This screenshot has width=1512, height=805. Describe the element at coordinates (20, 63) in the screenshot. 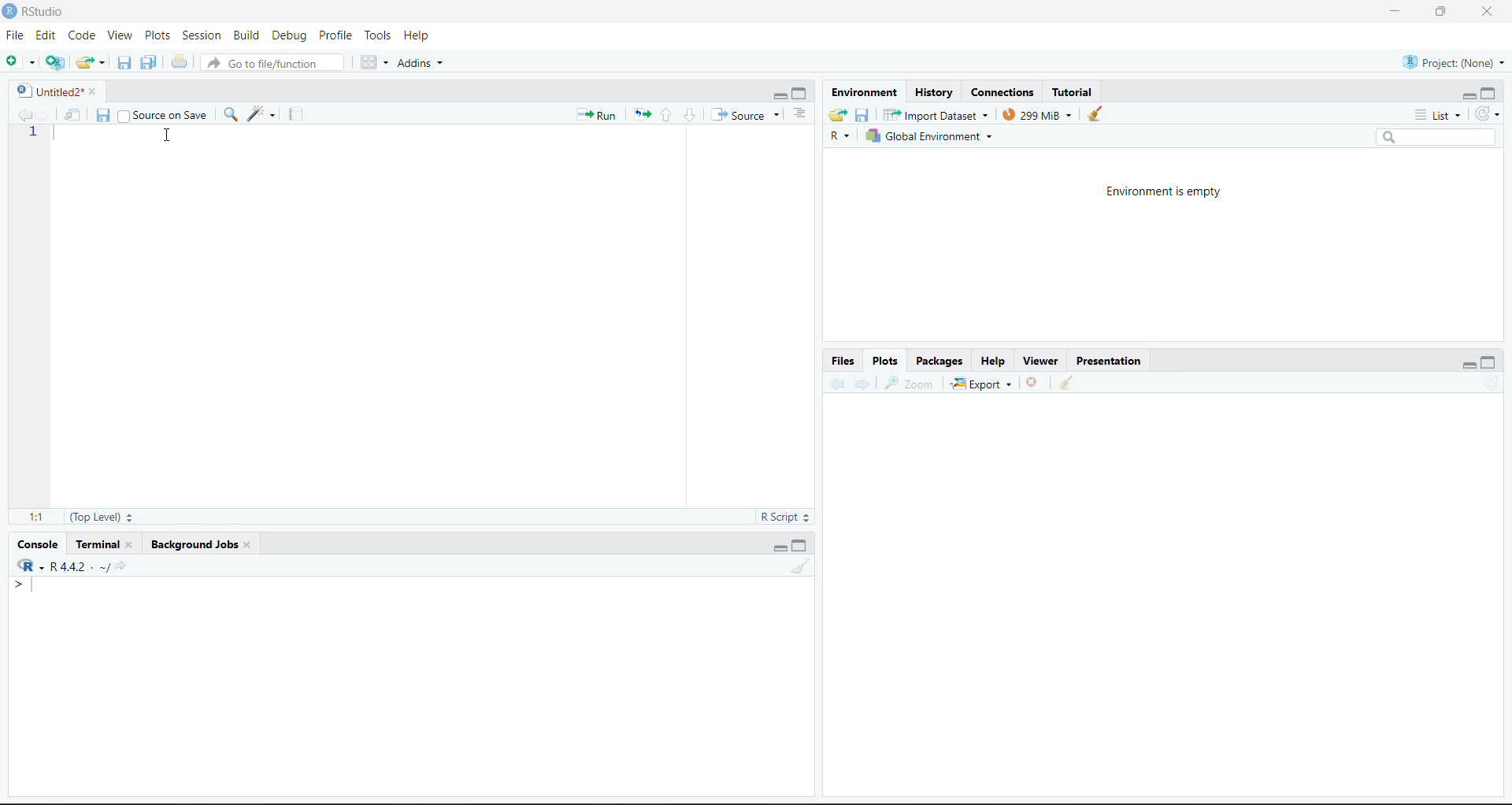

I see `New file` at that location.